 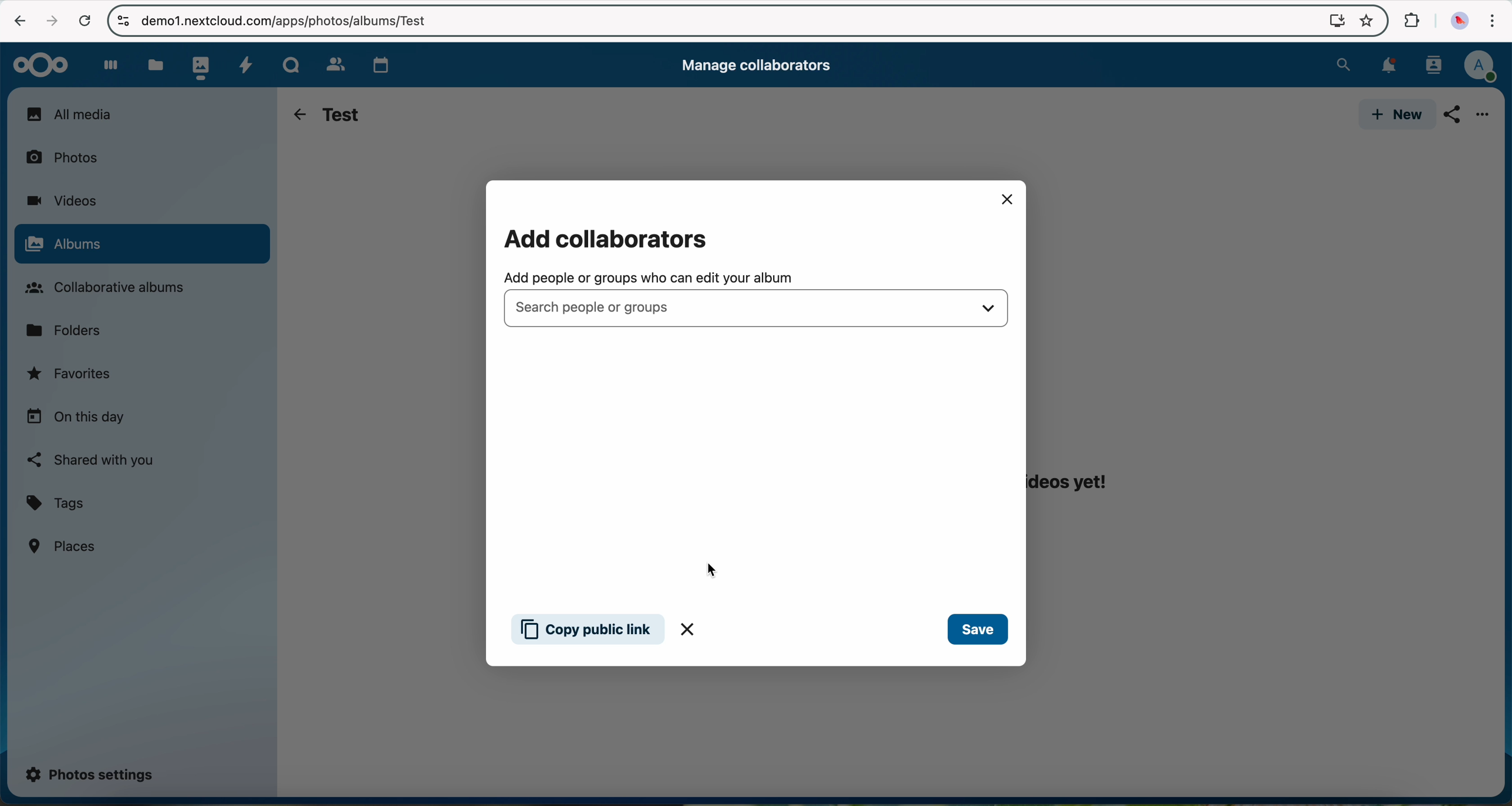 What do you see at coordinates (1080, 446) in the screenshot?
I see `this album does not have any photos or videos yet` at bounding box center [1080, 446].